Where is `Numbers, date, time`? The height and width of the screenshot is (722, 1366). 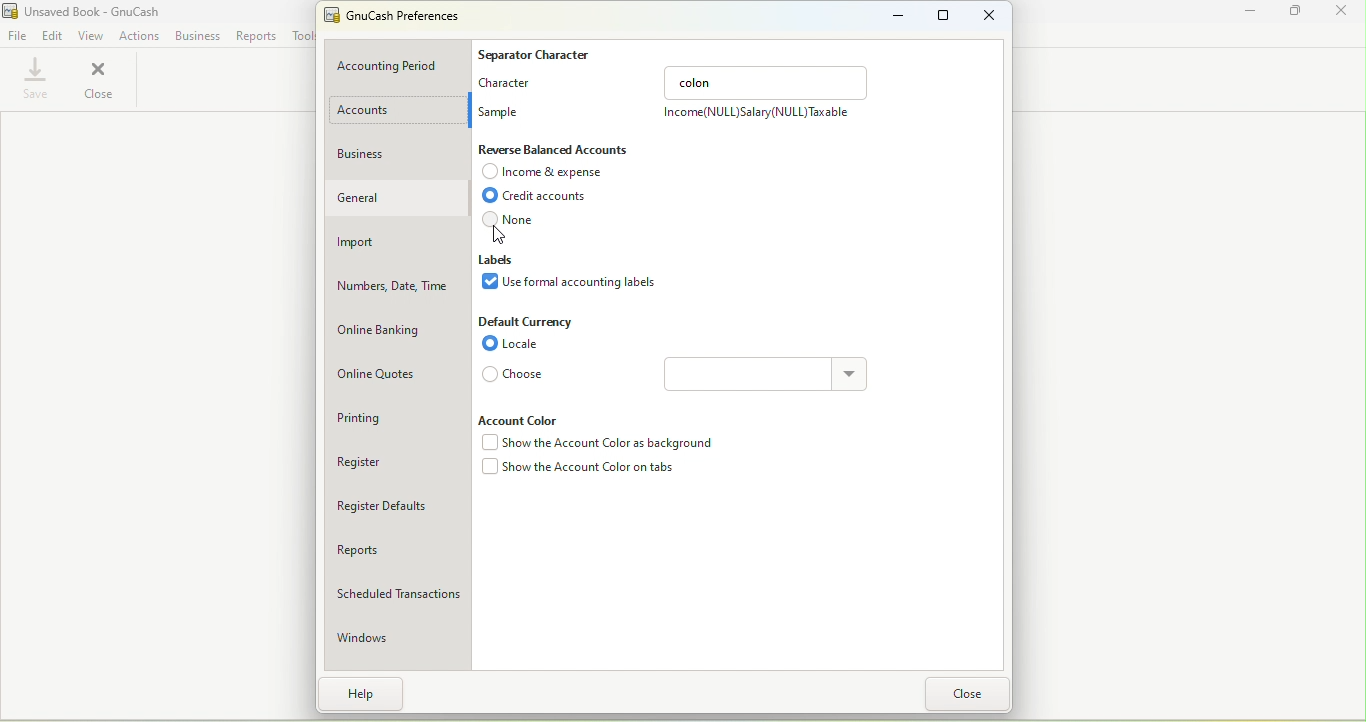
Numbers, date, time is located at coordinates (397, 287).